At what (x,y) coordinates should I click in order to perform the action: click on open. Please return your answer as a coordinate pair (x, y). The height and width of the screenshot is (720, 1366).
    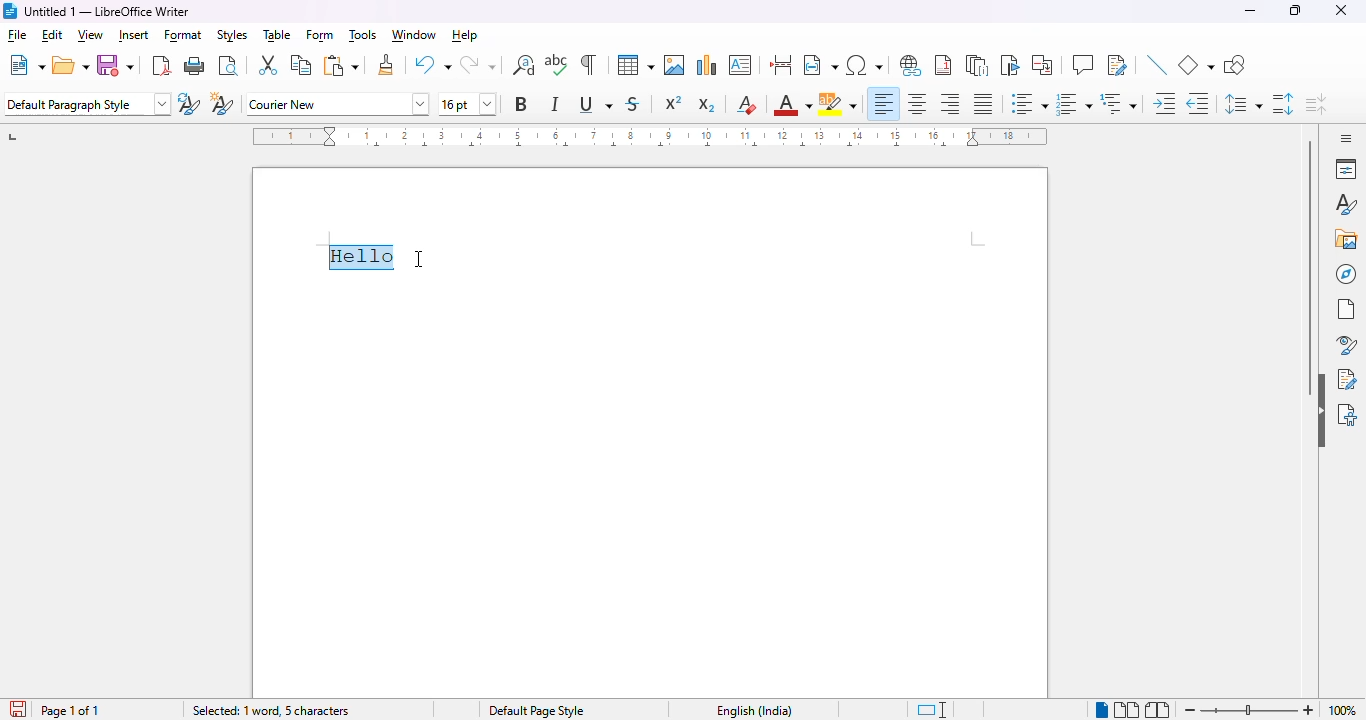
    Looking at the image, I should click on (71, 65).